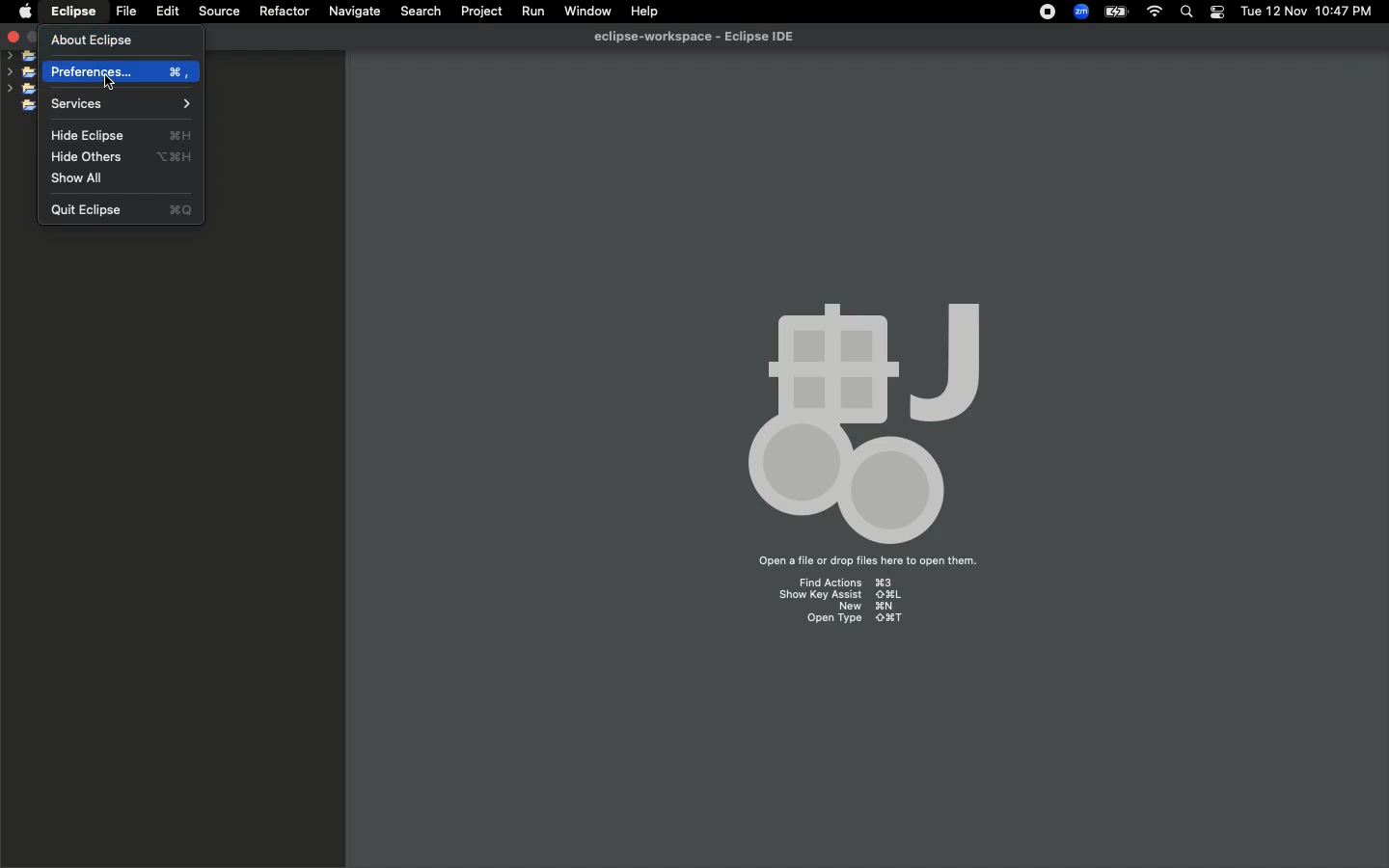 The height and width of the screenshot is (868, 1389). Describe the element at coordinates (125, 11) in the screenshot. I see `File` at that location.